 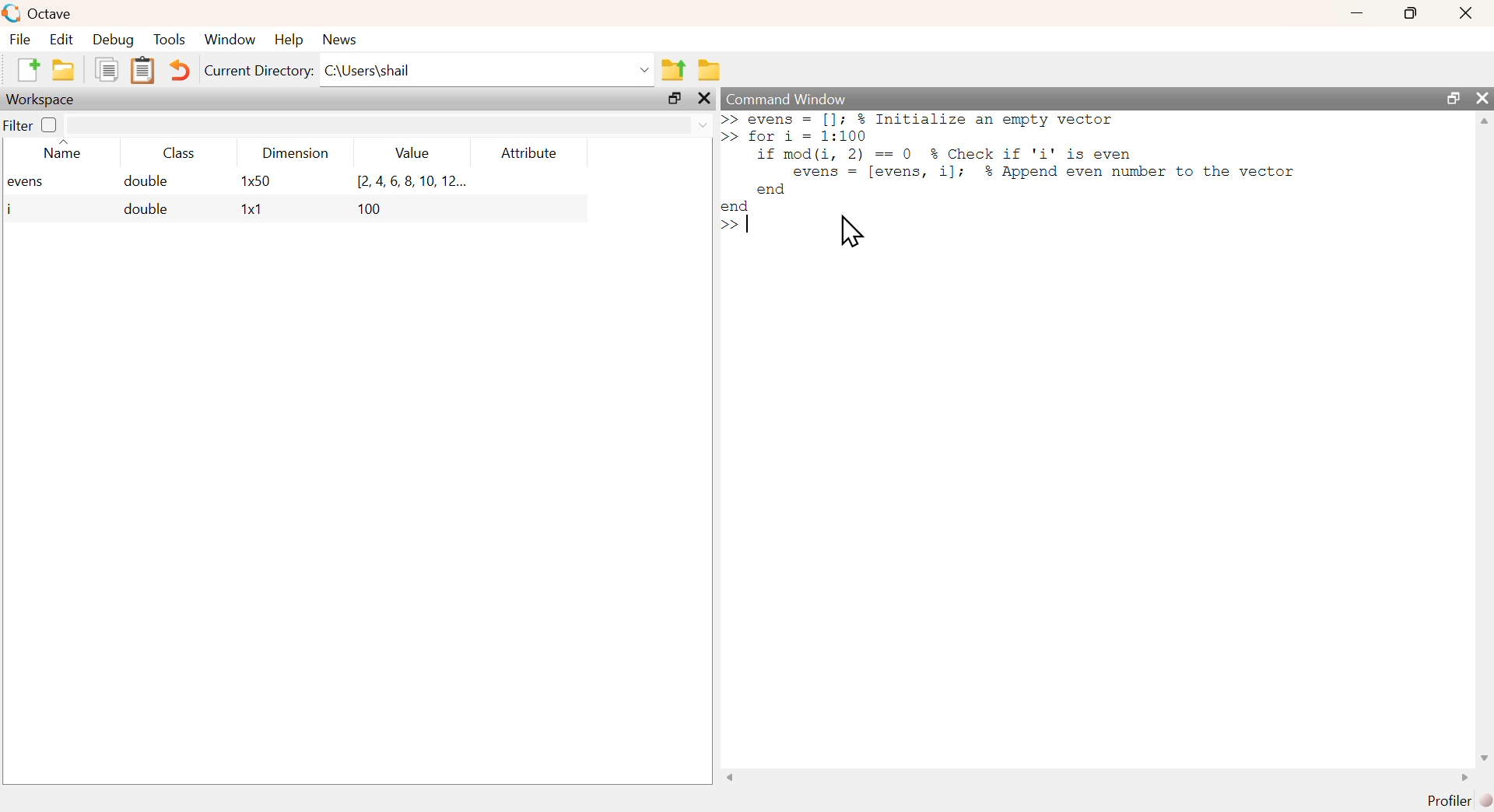 What do you see at coordinates (256, 182) in the screenshot?
I see `1x50` at bounding box center [256, 182].